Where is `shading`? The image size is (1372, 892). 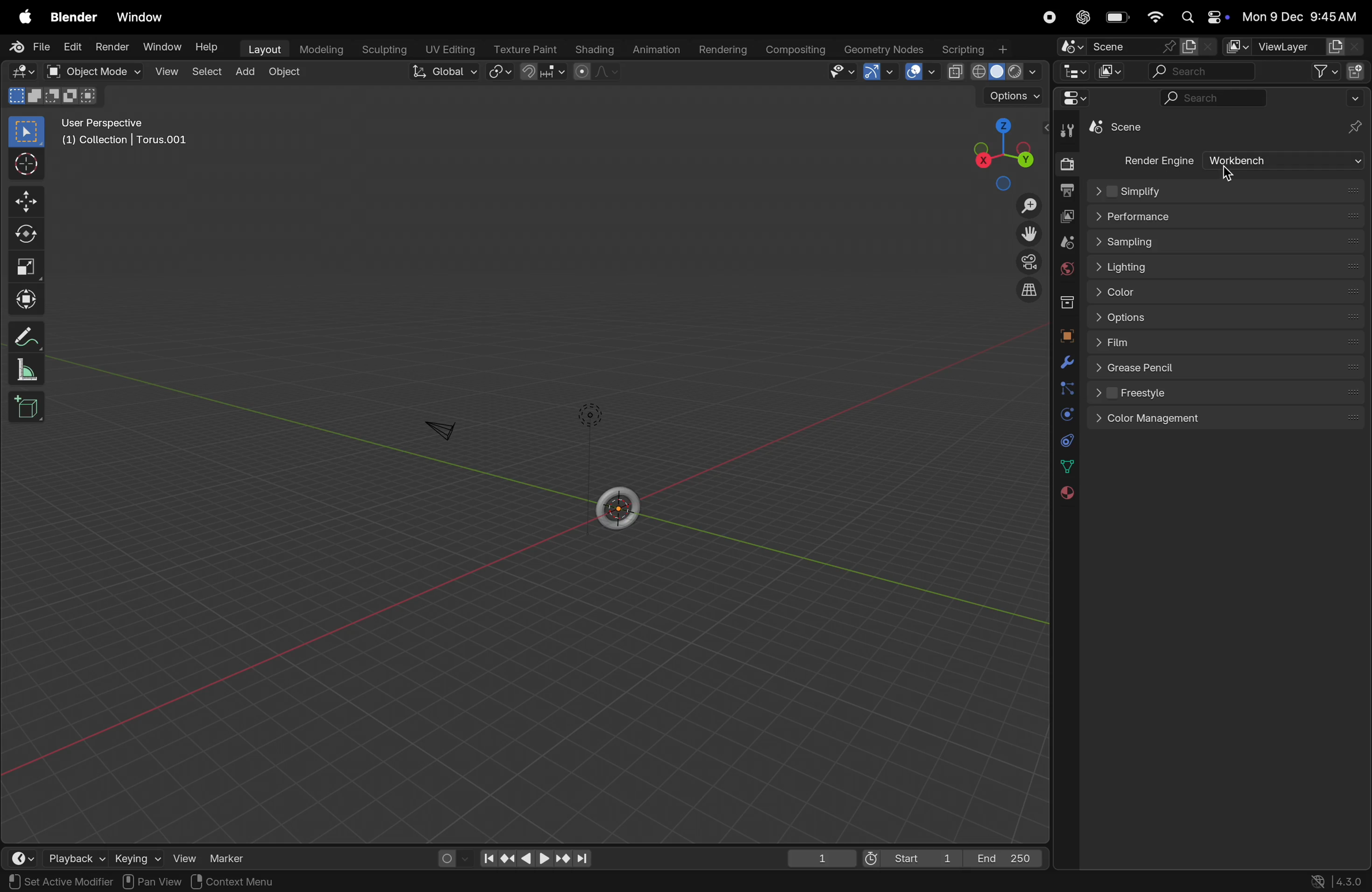 shading is located at coordinates (596, 50).